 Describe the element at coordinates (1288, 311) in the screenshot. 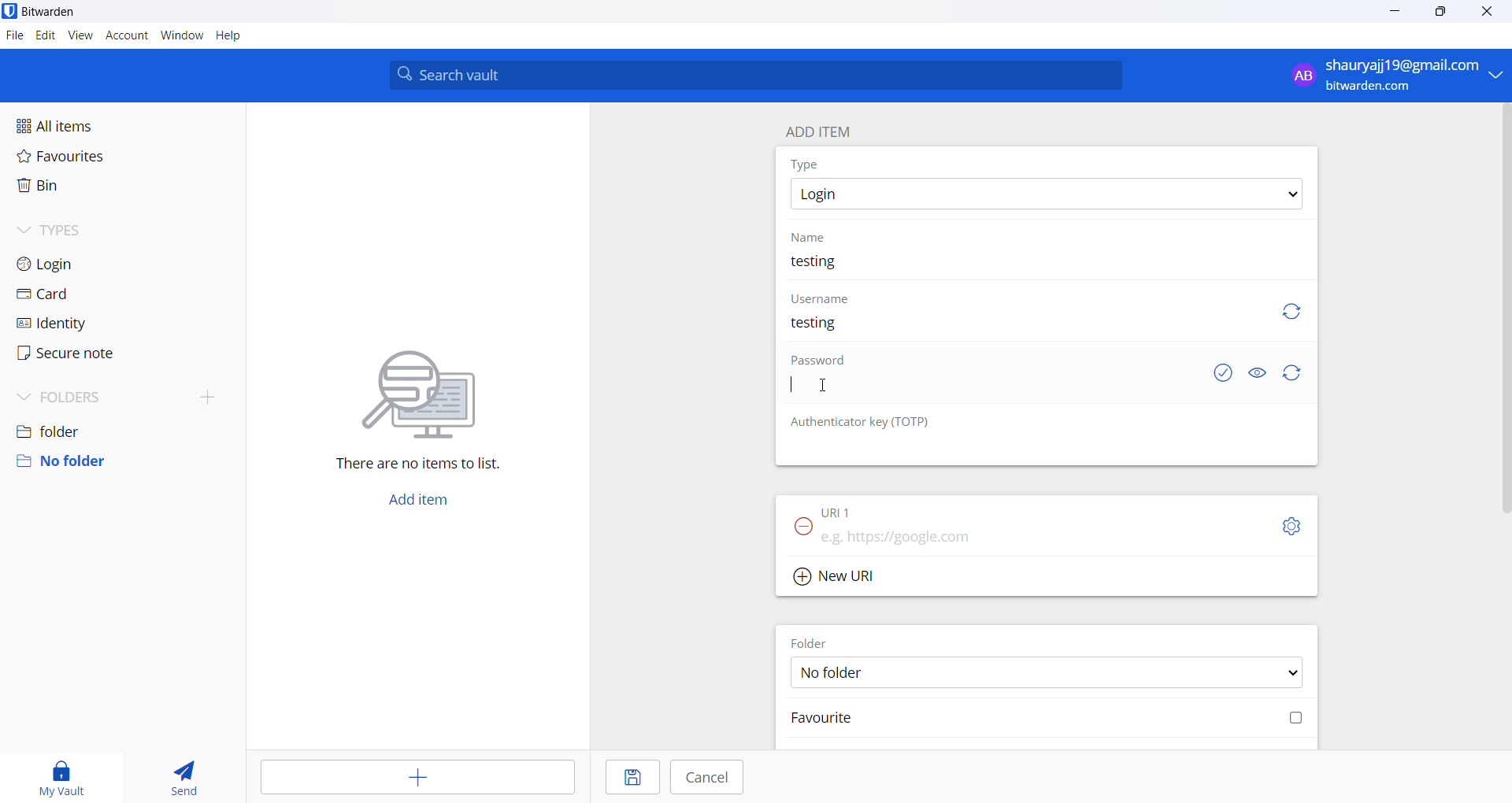

I see `refresh` at that location.